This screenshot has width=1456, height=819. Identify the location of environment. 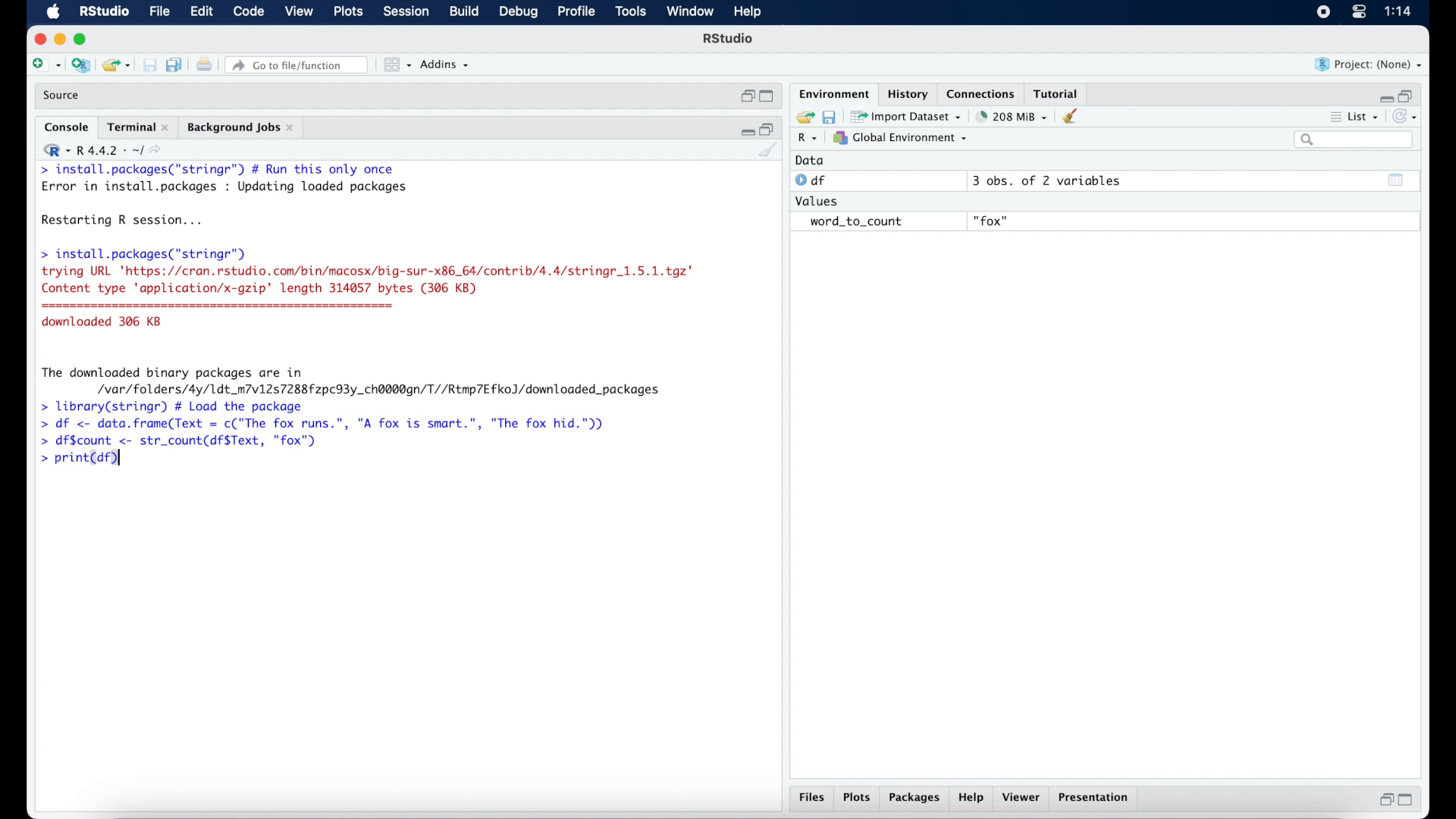
(833, 93).